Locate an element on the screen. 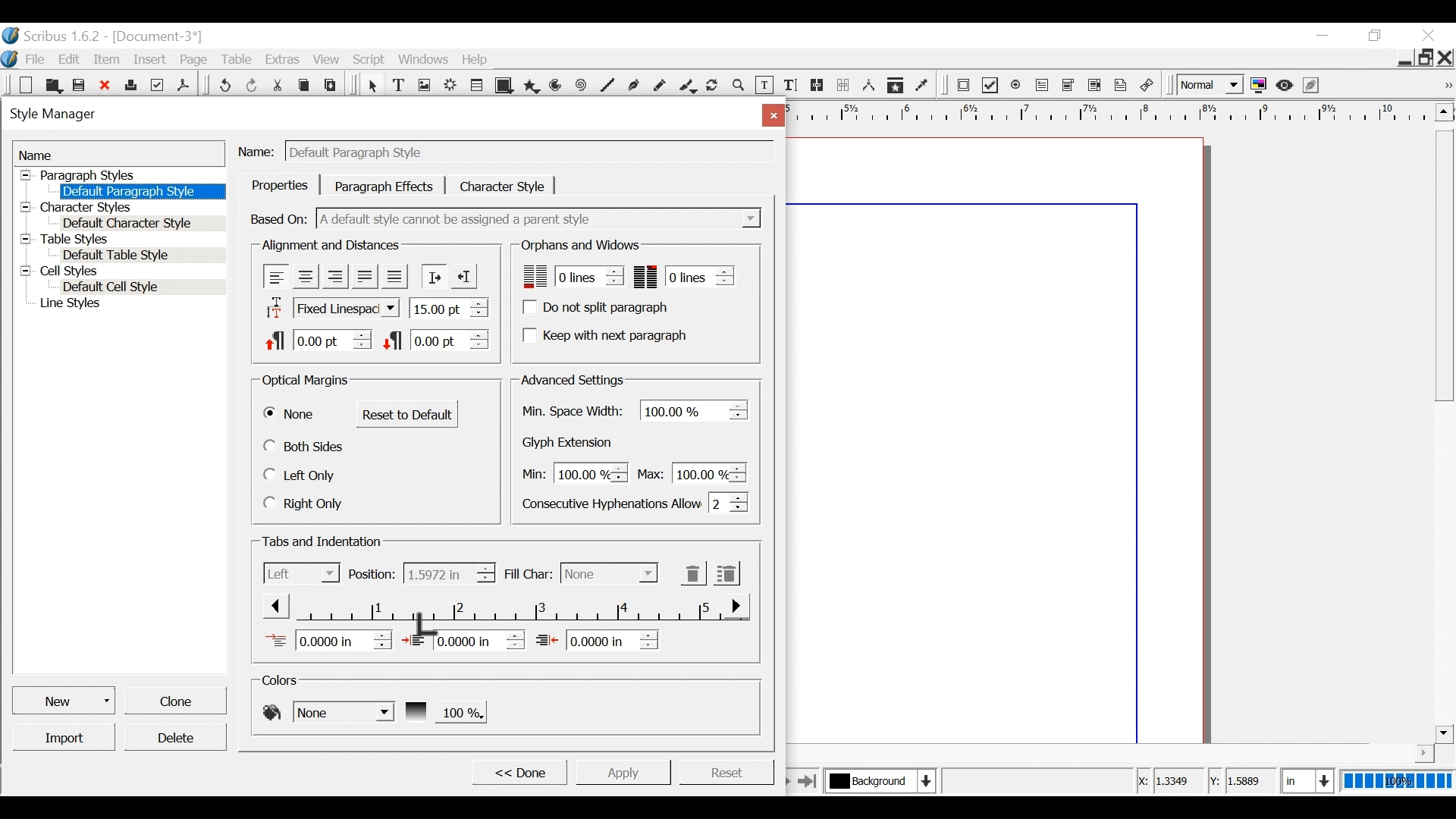 This screenshot has height=819, width=1456. Consecutive Hyphenations allow is located at coordinates (635, 502).